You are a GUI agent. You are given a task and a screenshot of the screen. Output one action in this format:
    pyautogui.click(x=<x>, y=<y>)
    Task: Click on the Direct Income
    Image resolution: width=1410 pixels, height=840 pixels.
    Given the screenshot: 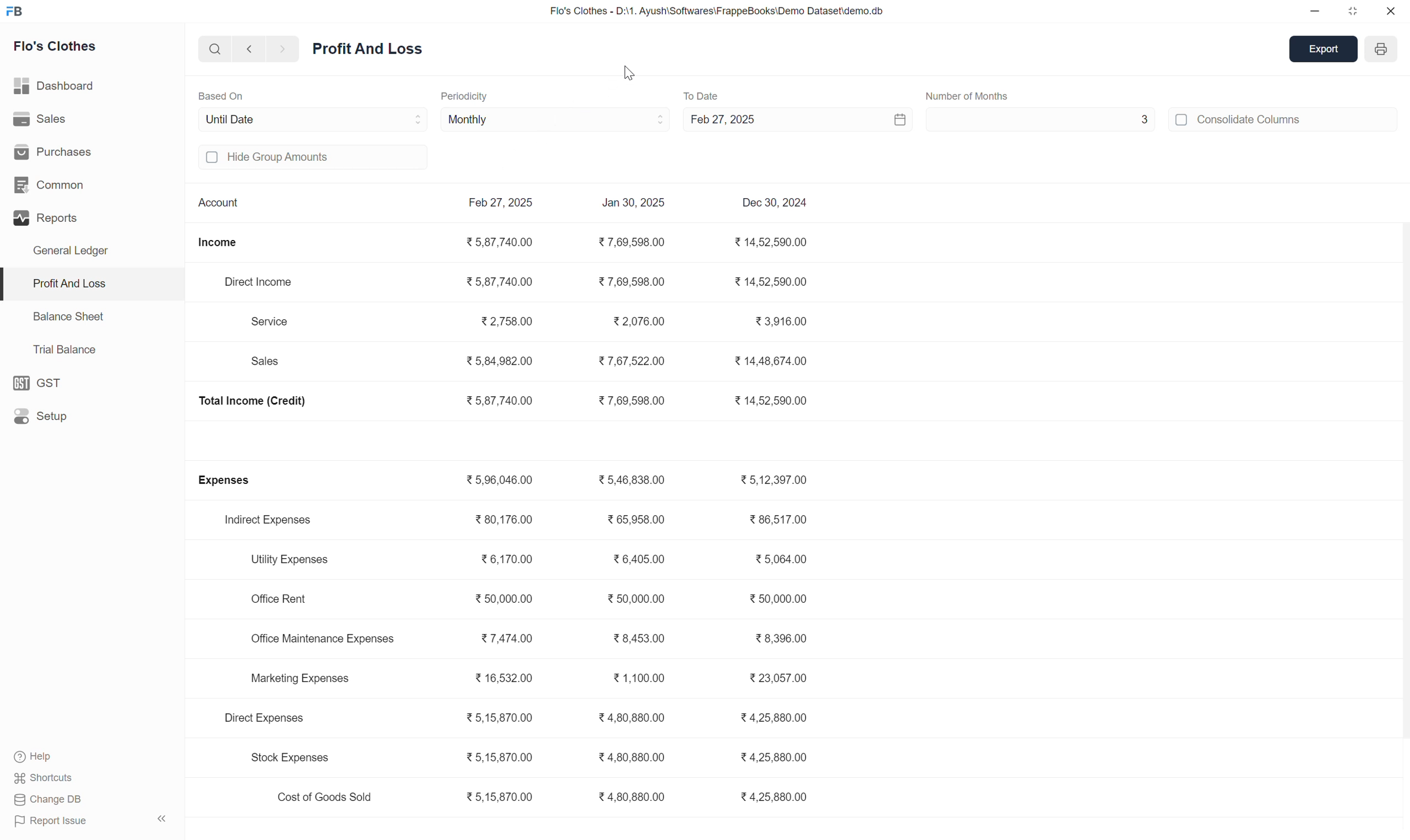 What is the action you would take?
    pyautogui.click(x=255, y=283)
    